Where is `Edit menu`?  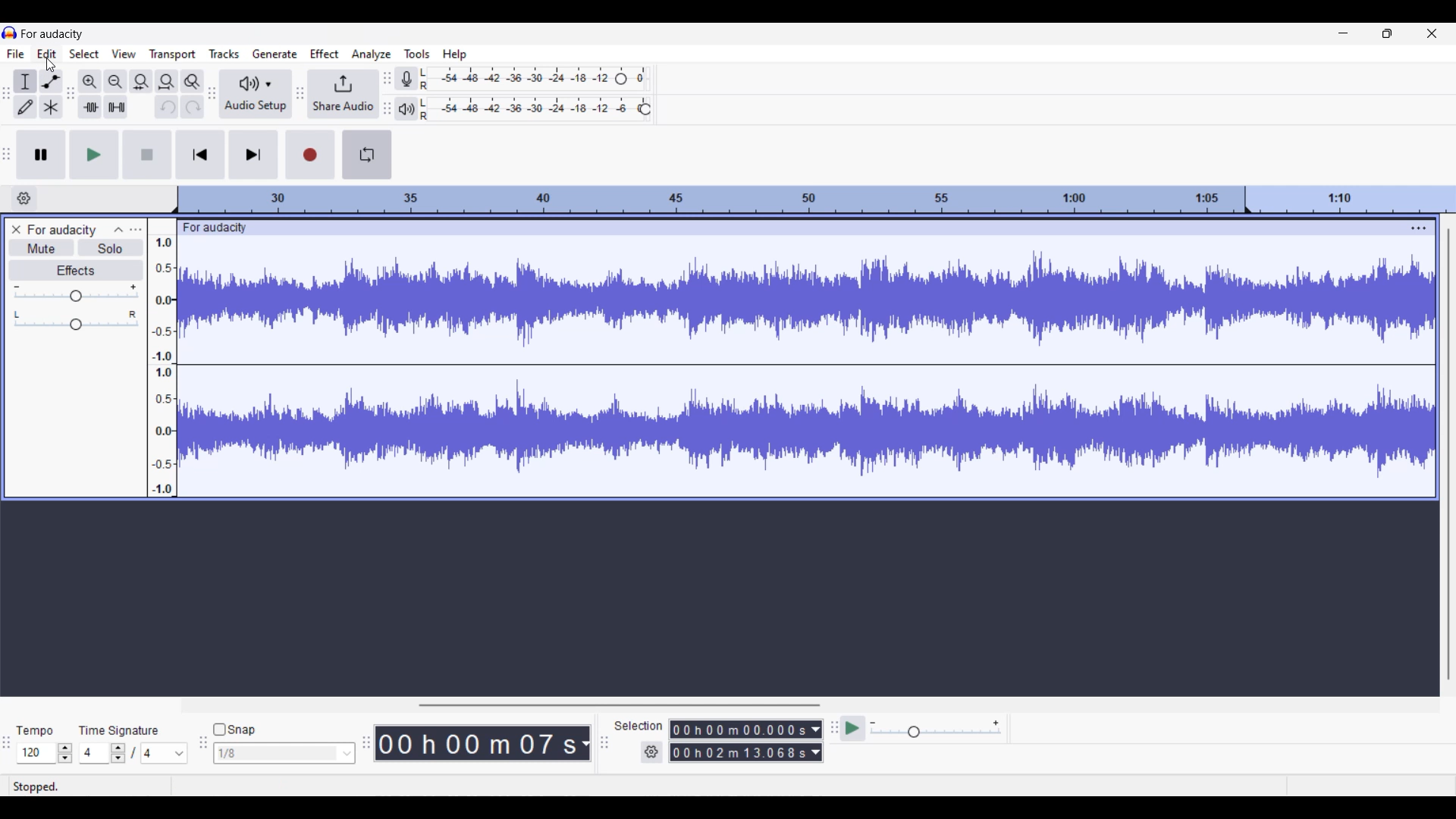 Edit menu is located at coordinates (46, 53).